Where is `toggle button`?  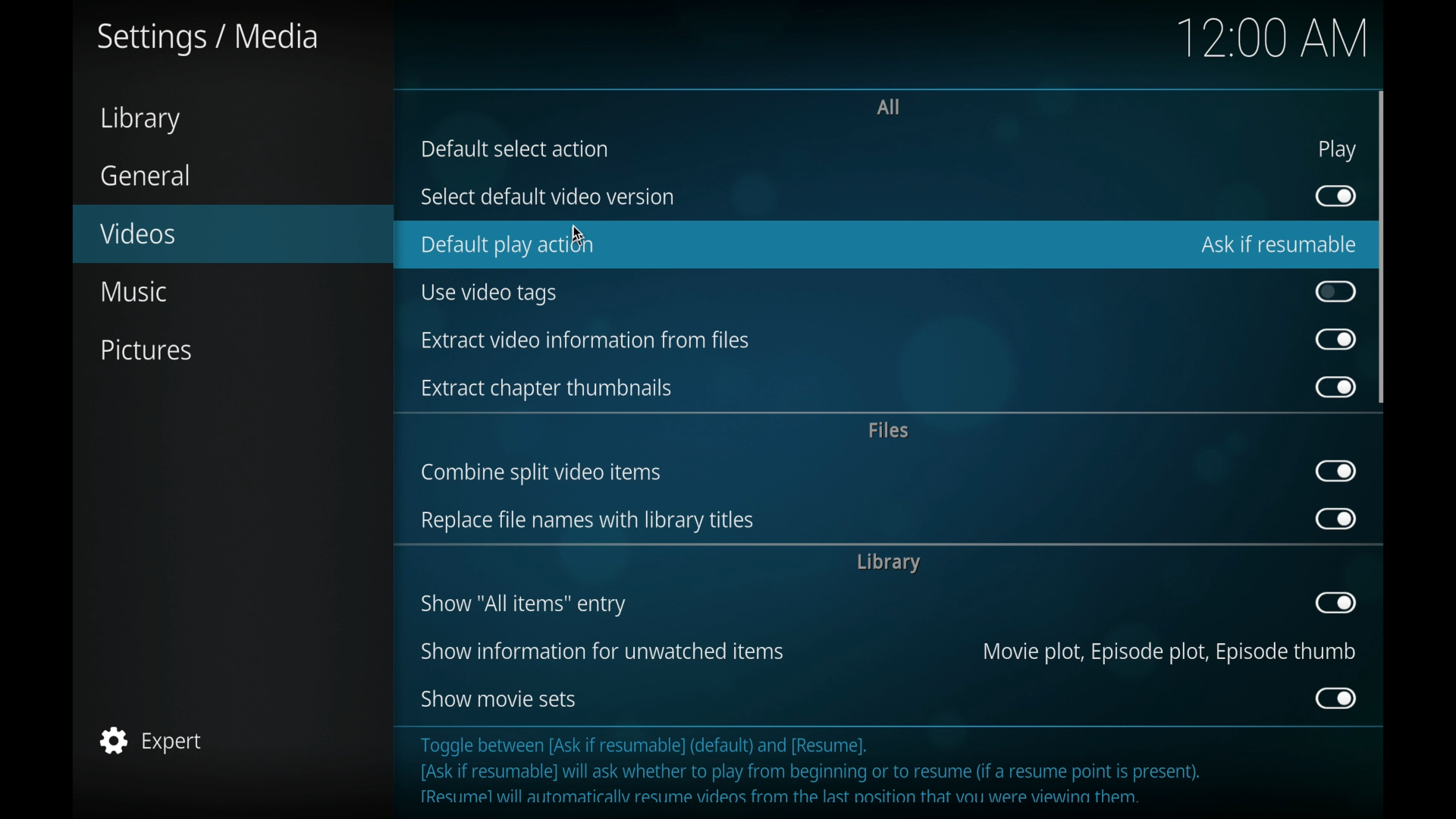 toggle button is located at coordinates (1335, 387).